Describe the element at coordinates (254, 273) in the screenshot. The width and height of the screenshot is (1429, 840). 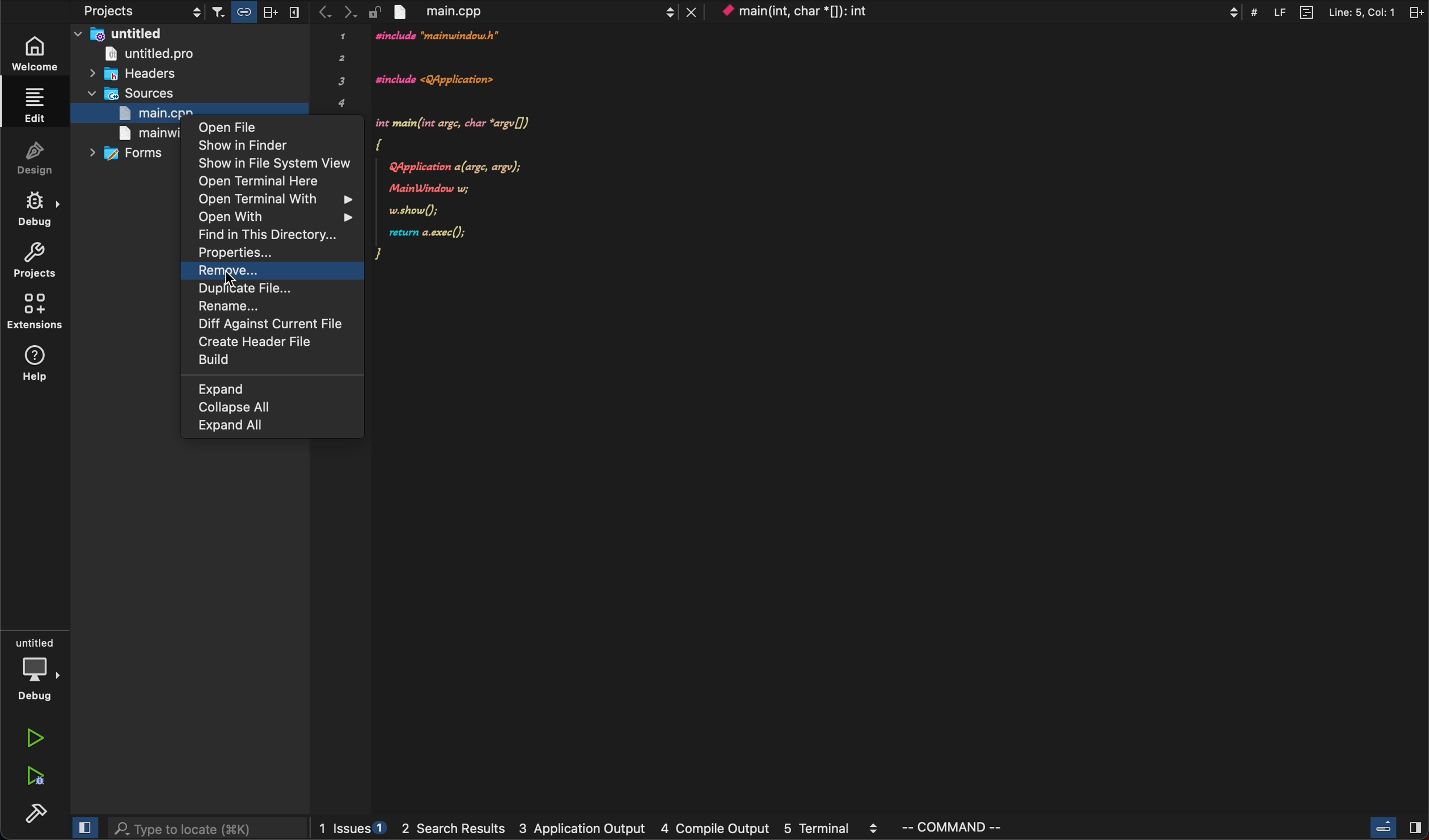
I see `remove` at that location.